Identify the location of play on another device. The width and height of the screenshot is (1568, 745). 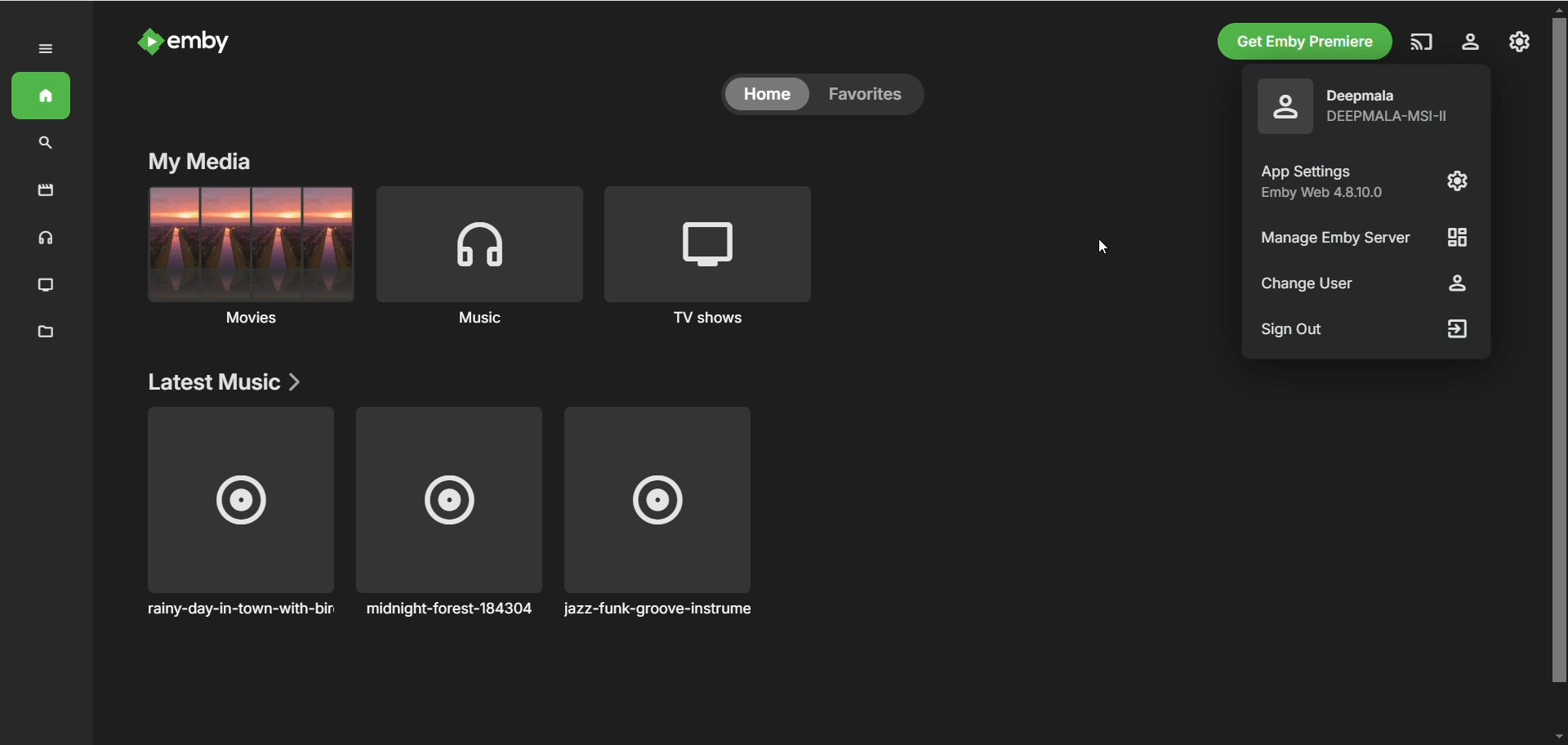
(1420, 43).